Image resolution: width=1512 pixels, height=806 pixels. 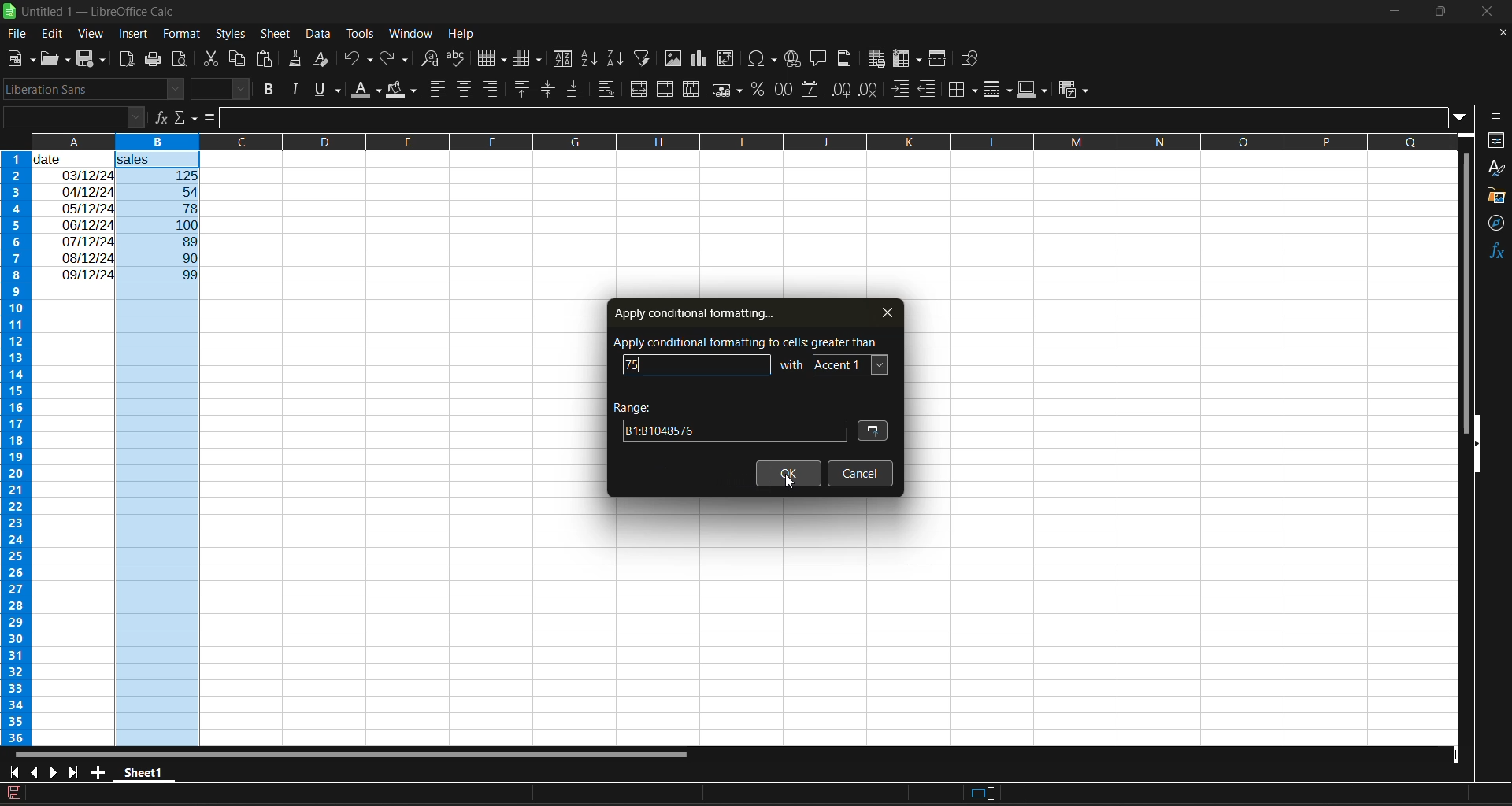 What do you see at coordinates (137, 35) in the screenshot?
I see `insert` at bounding box center [137, 35].